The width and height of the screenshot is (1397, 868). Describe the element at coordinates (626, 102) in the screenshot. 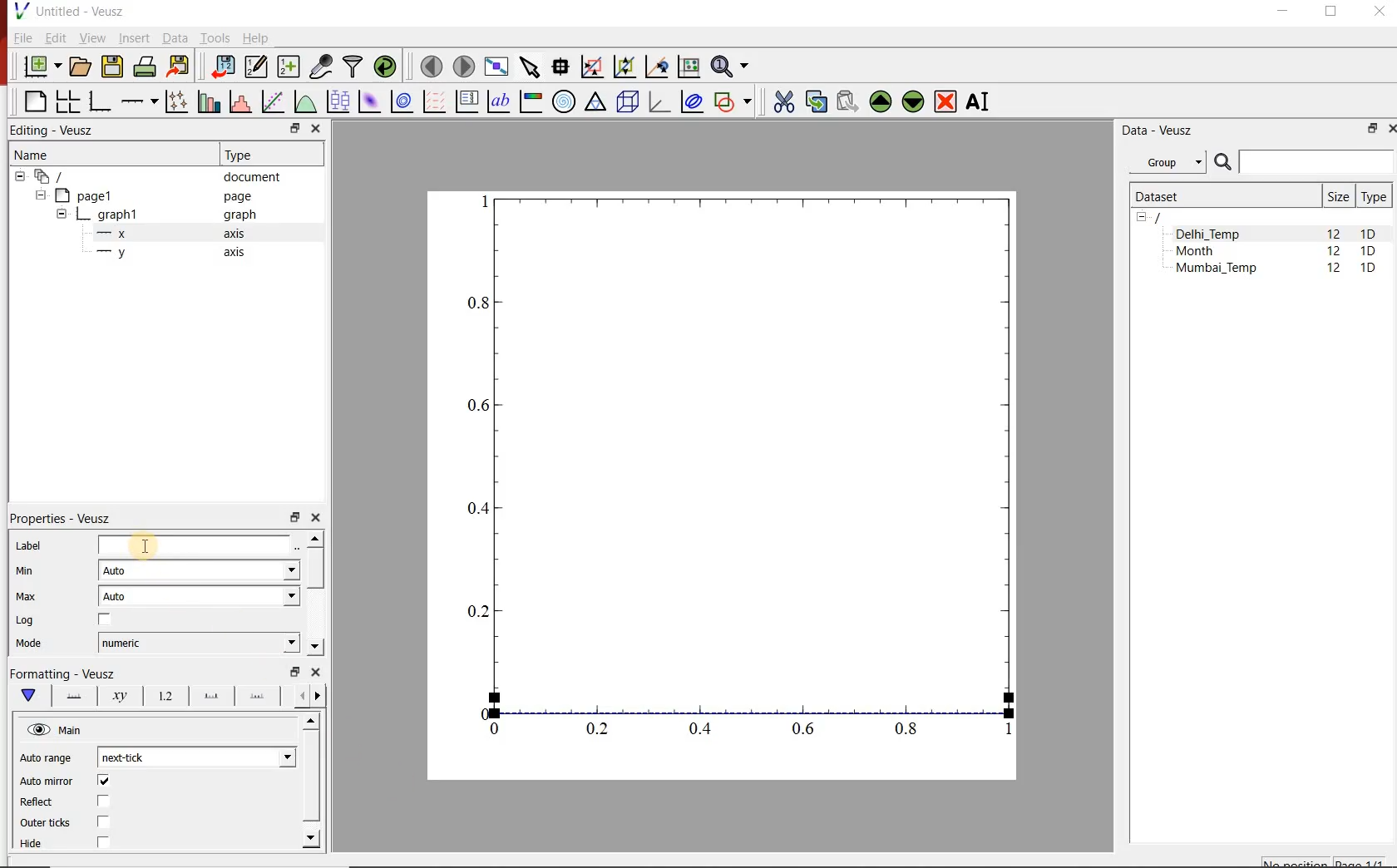

I see `3d scene` at that location.